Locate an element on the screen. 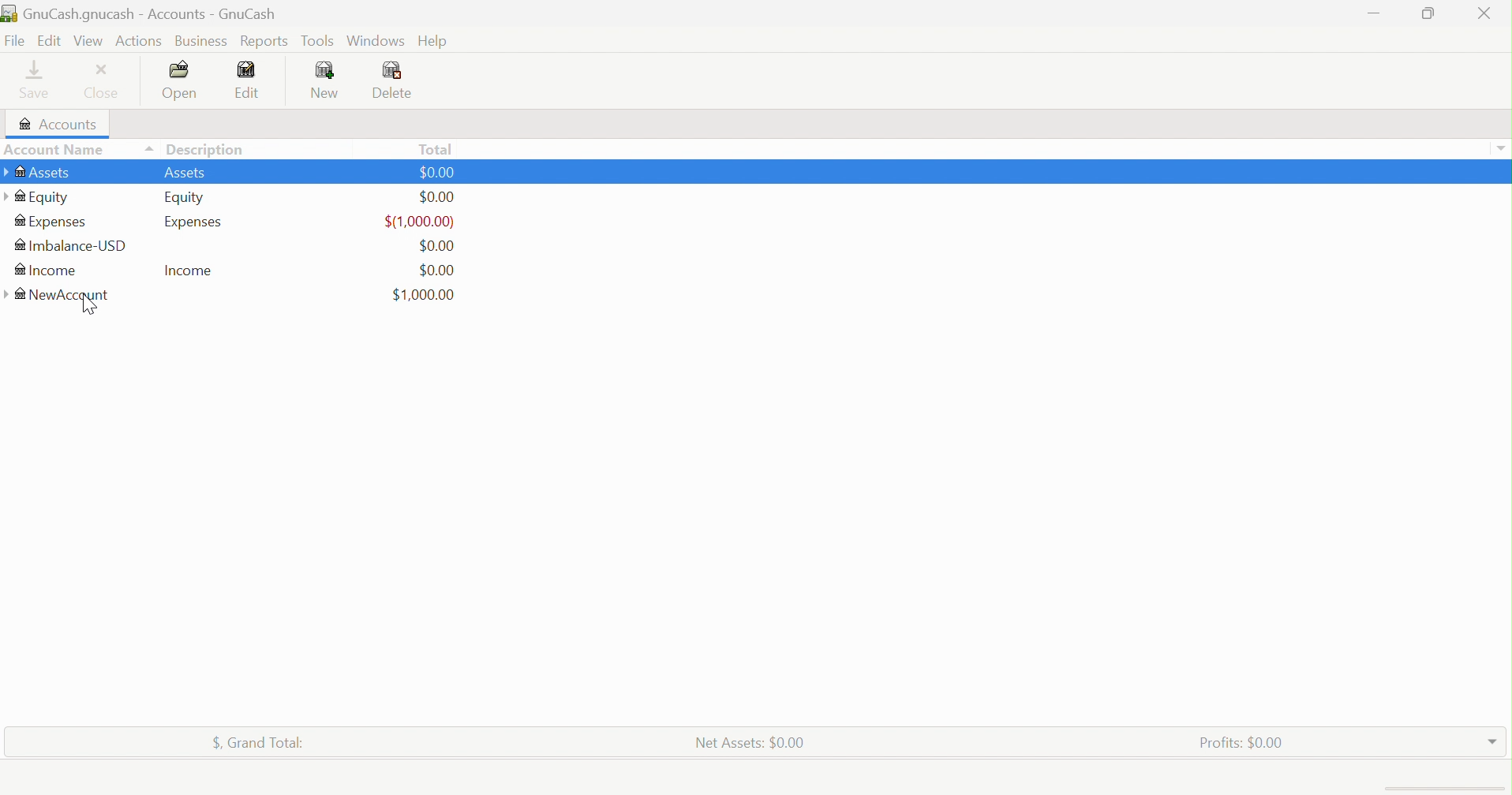 Image resolution: width=1512 pixels, height=795 pixels. Help is located at coordinates (436, 42).